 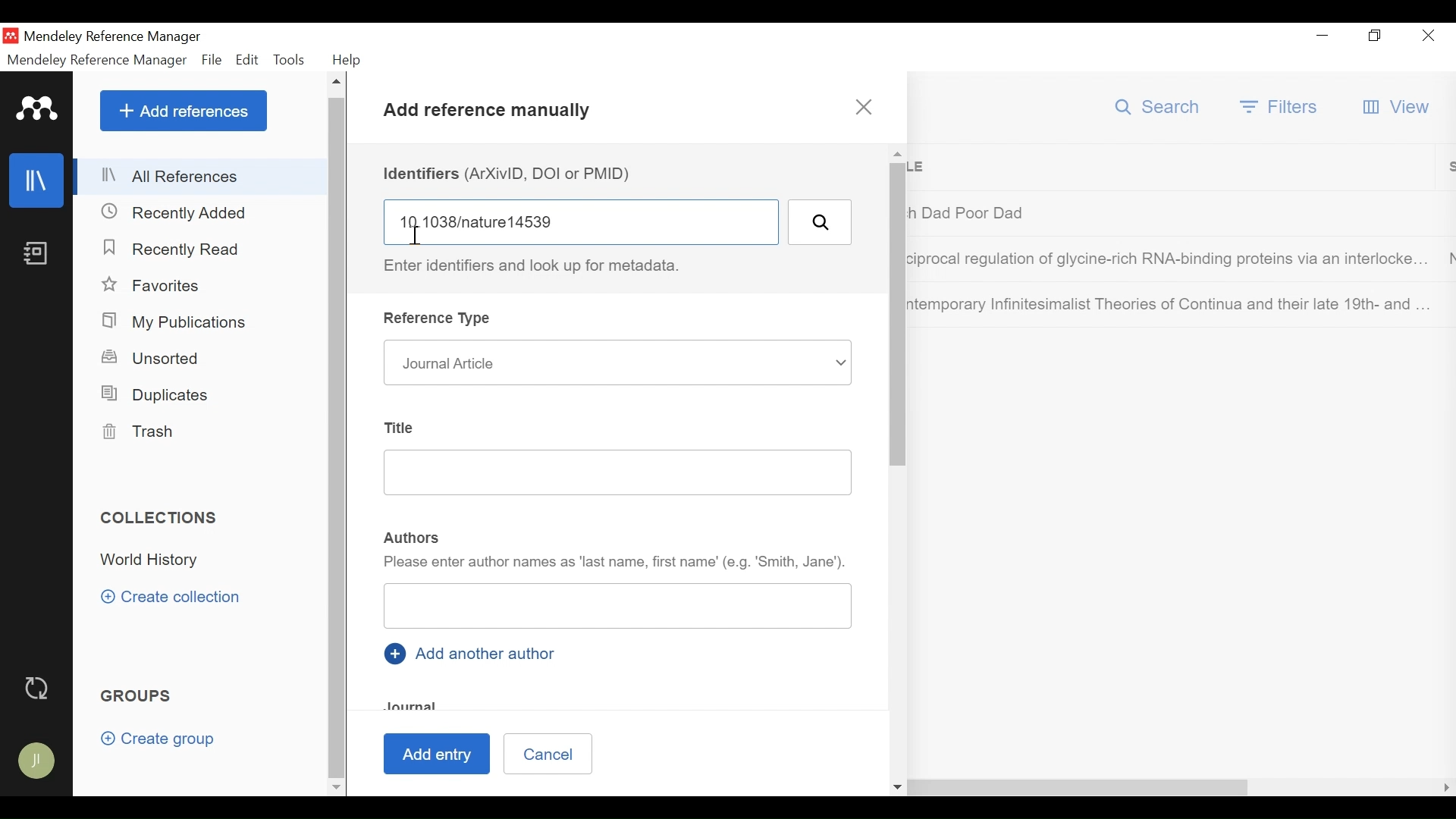 I want to click on Title, so click(x=403, y=428).